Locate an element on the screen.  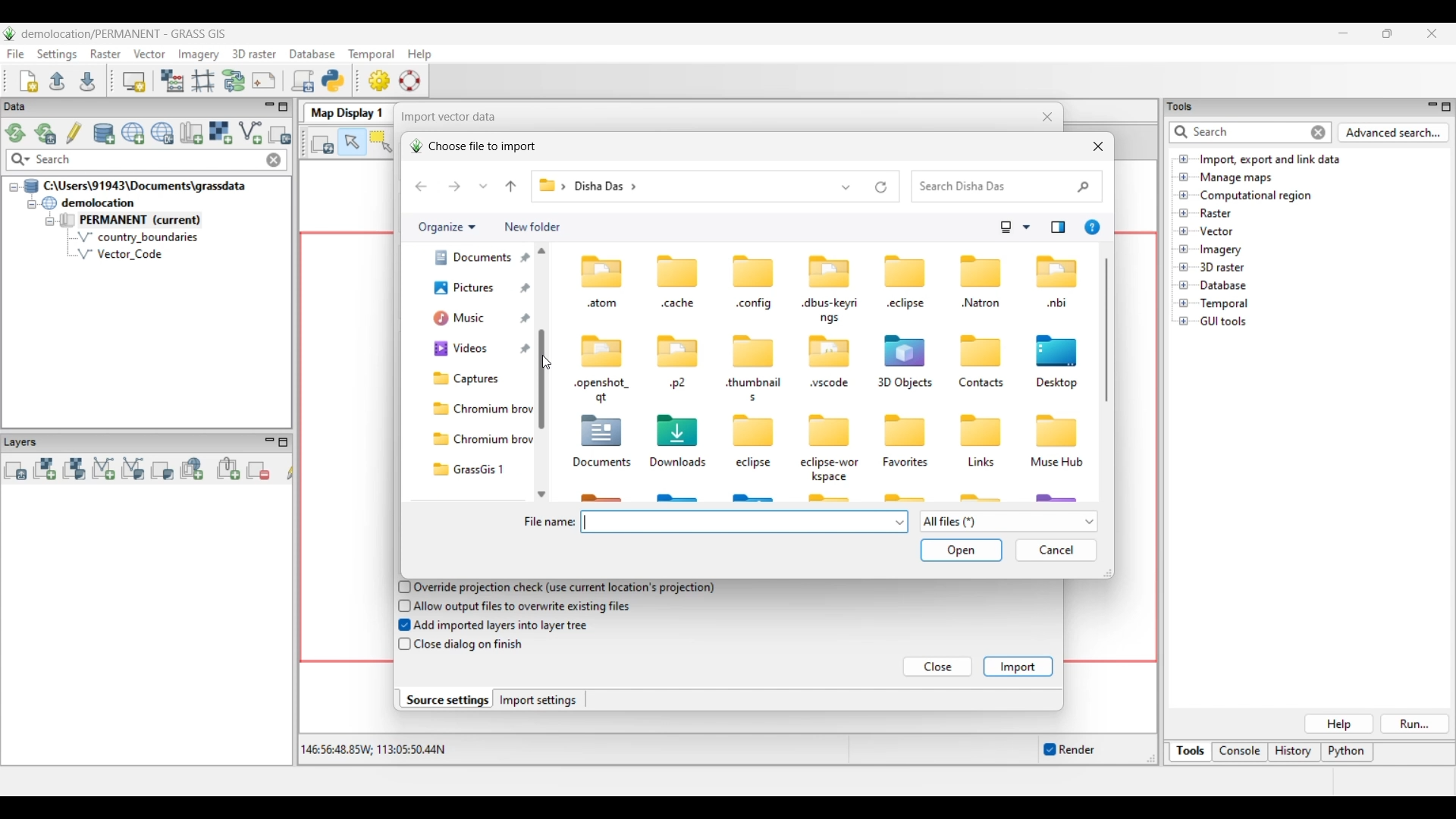
Project and software name is located at coordinates (124, 34).